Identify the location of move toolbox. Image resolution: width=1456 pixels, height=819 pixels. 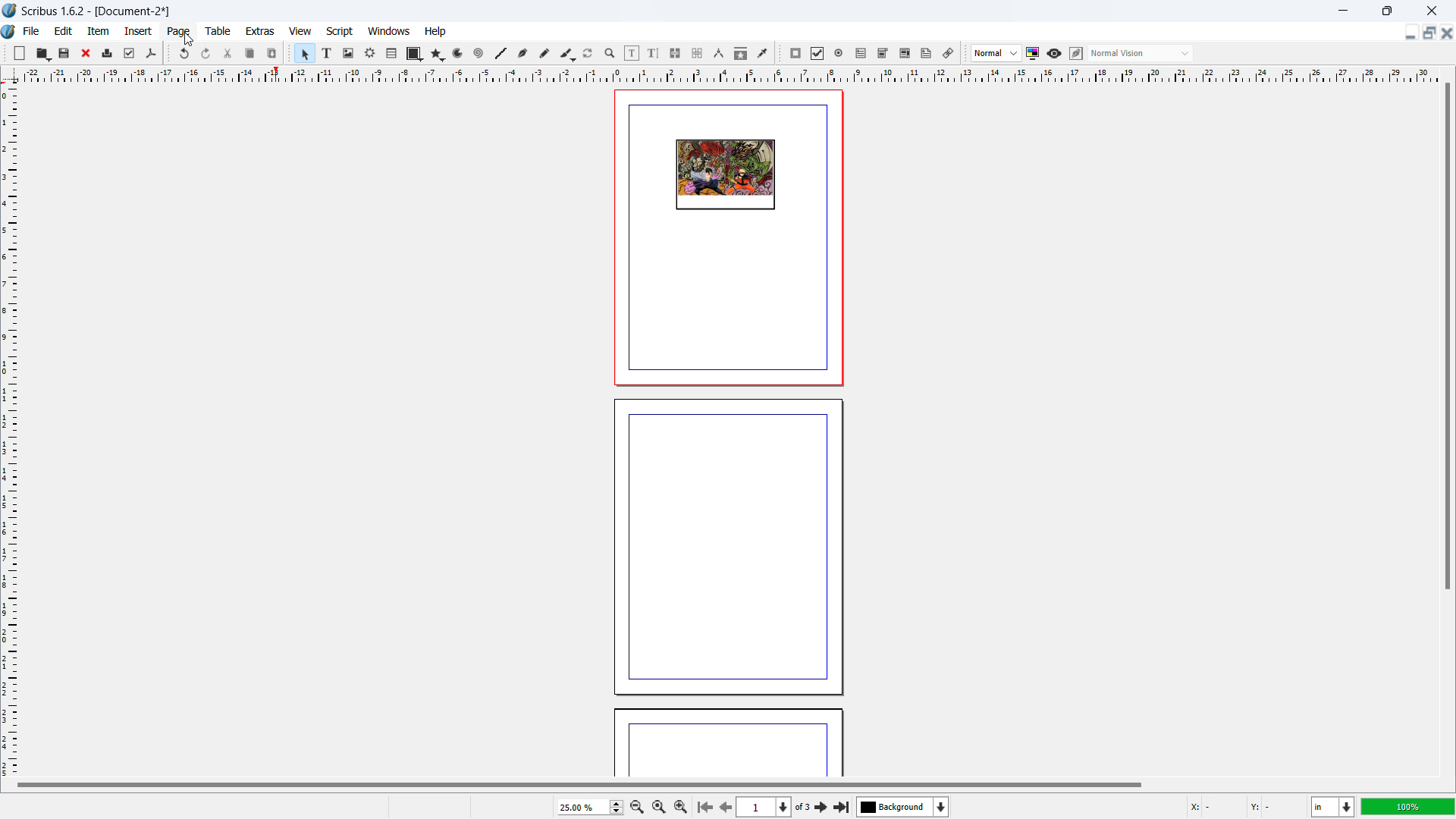
(5, 52).